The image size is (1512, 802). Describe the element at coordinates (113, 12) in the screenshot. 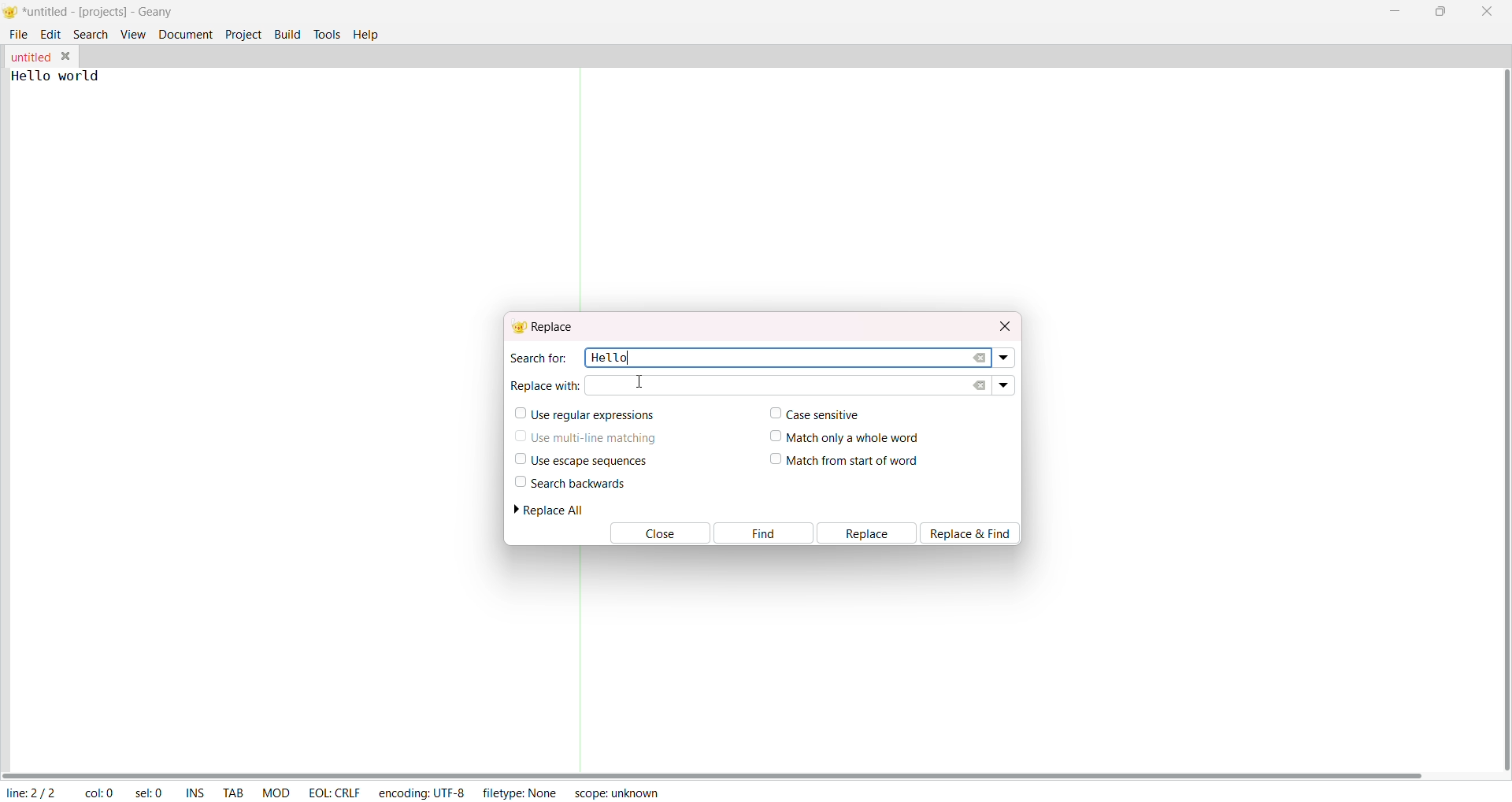

I see `*untitled-[projects]-Geany` at that location.